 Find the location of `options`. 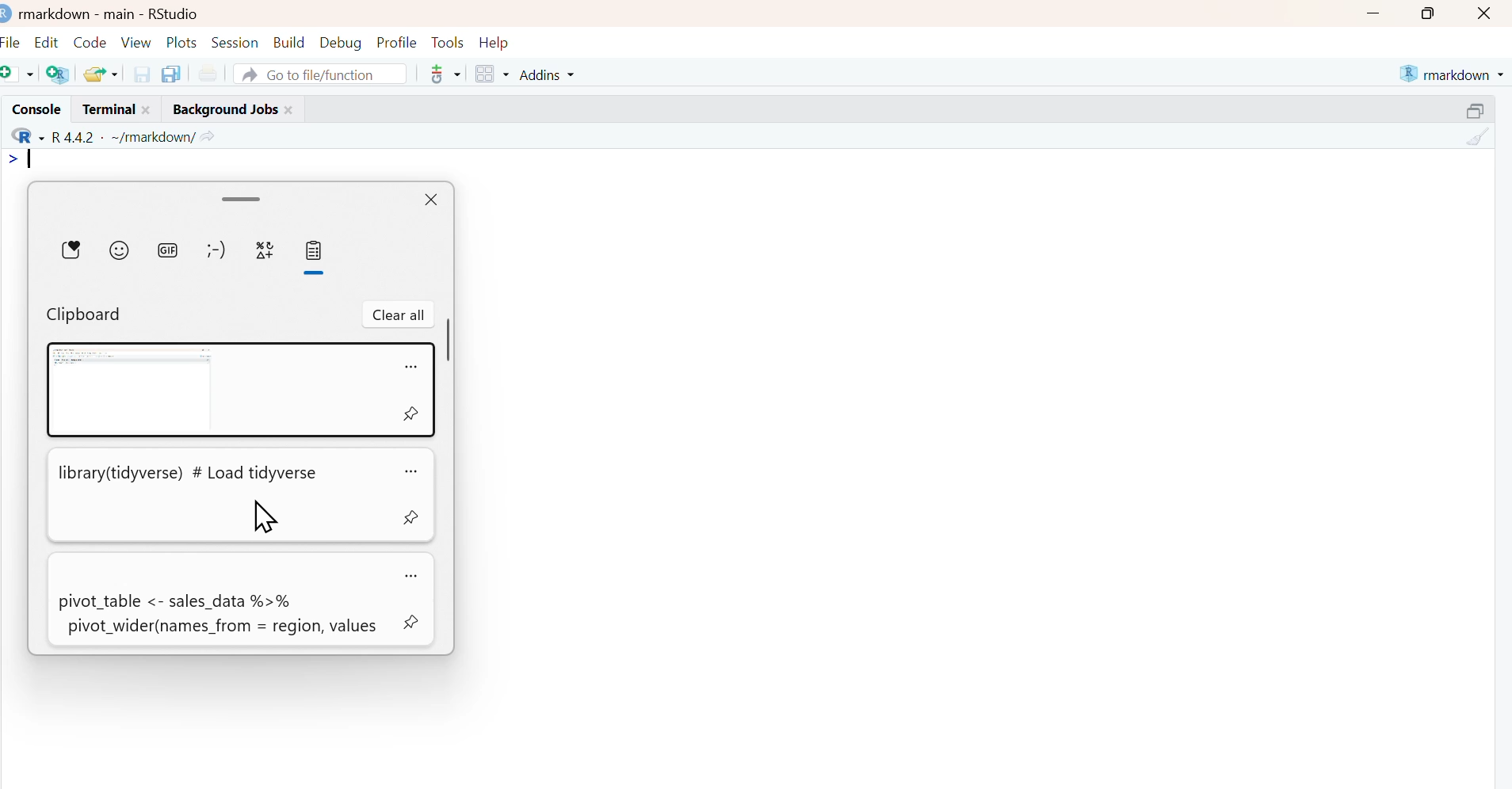

options is located at coordinates (410, 471).